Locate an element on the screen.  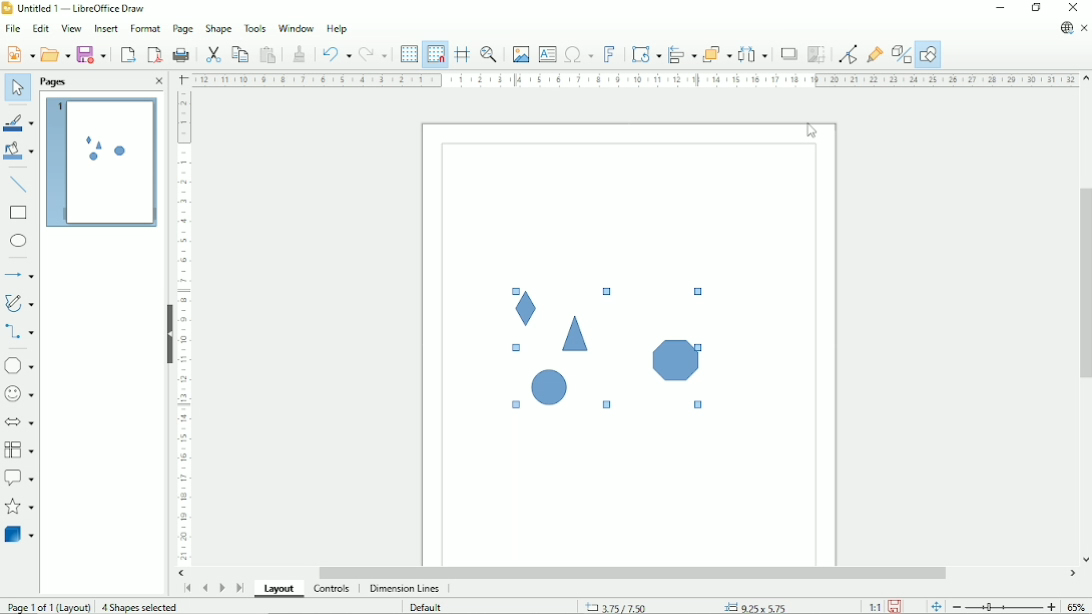
Preview is located at coordinates (101, 164).